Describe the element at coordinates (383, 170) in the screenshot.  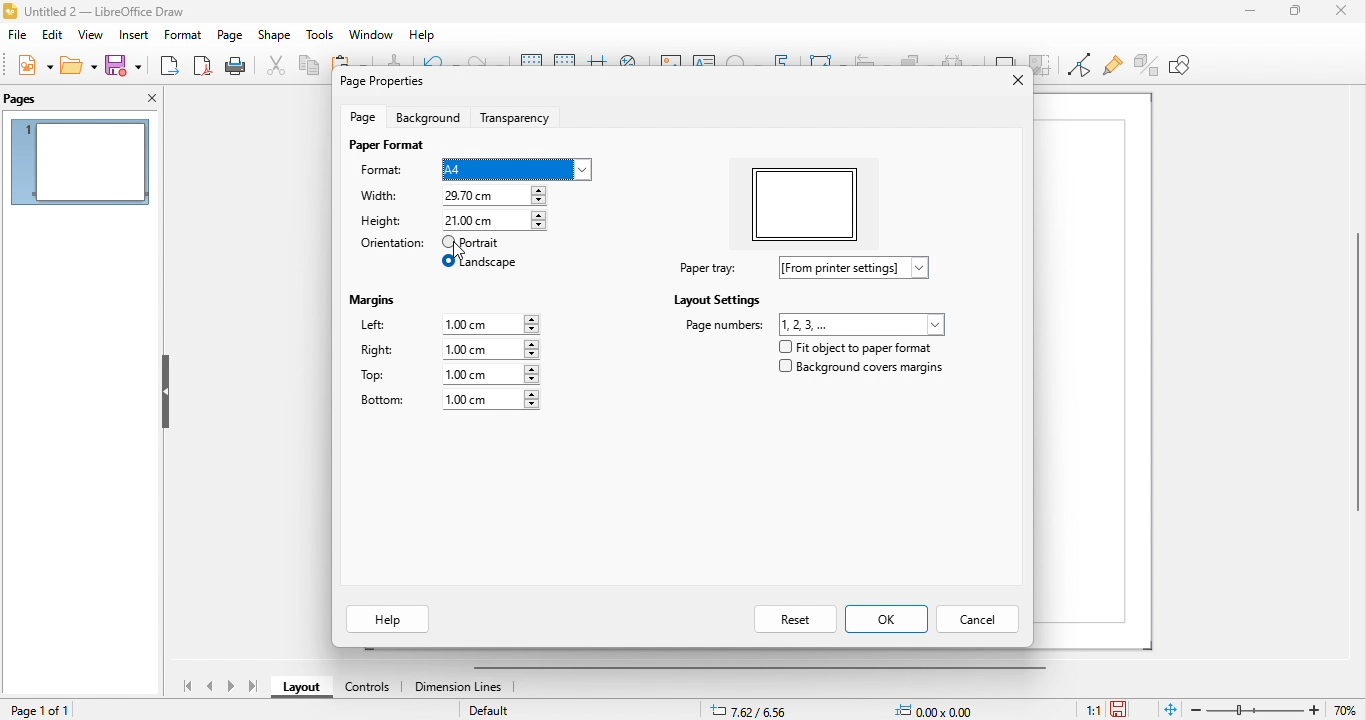
I see `format` at that location.